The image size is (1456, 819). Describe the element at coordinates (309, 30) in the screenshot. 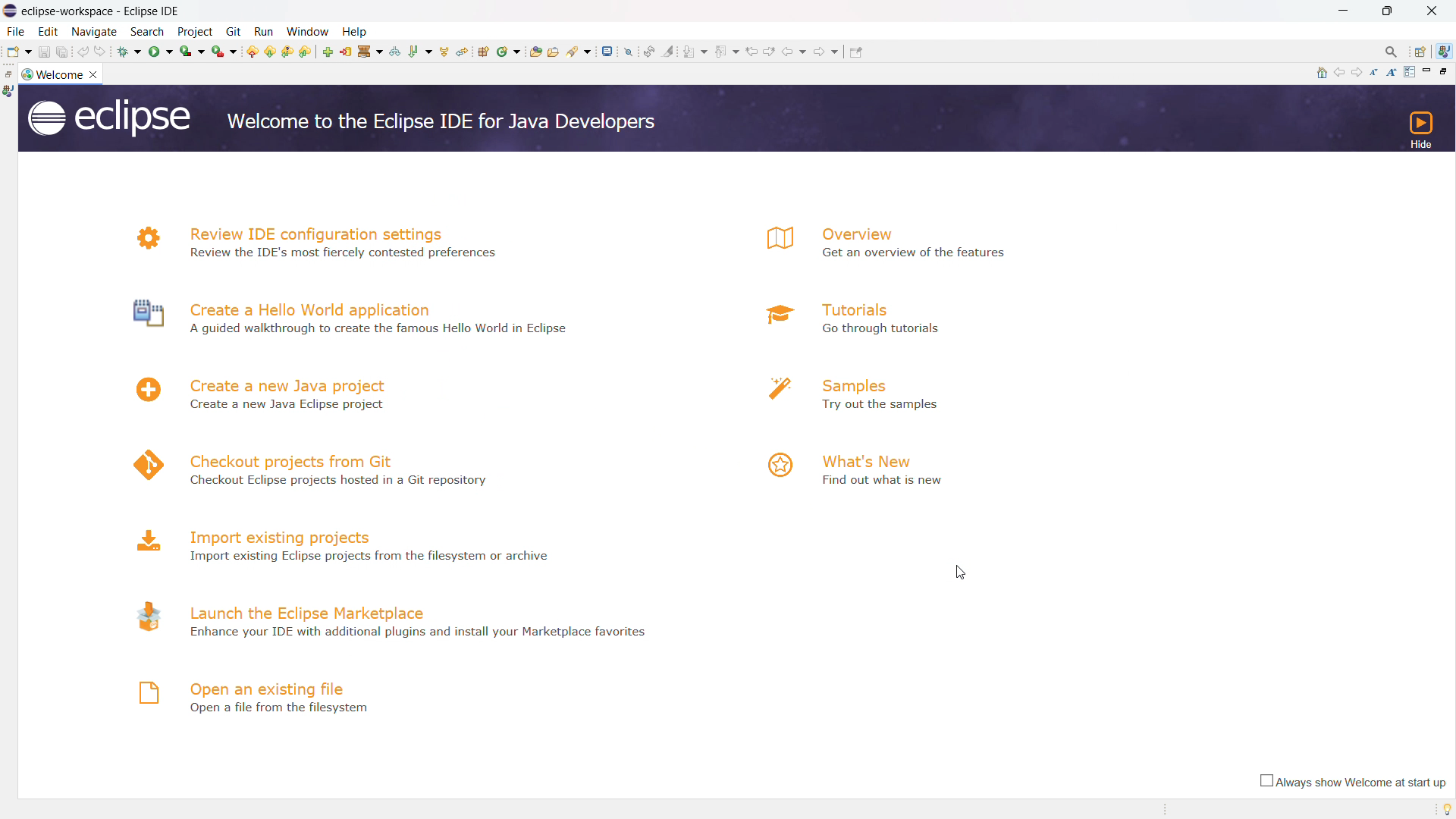

I see `window` at that location.